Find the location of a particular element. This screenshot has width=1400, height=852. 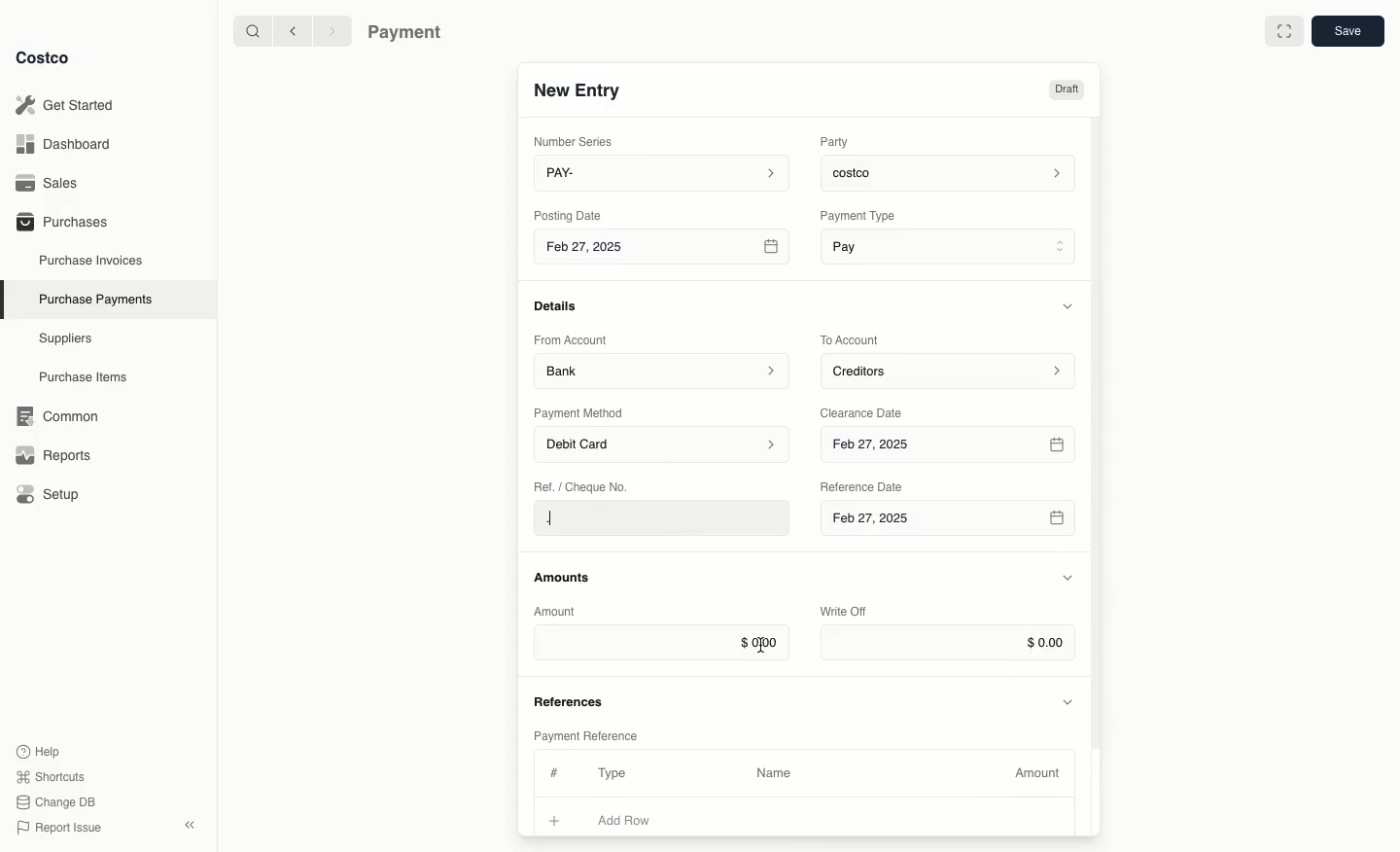

To Account is located at coordinates (852, 339).